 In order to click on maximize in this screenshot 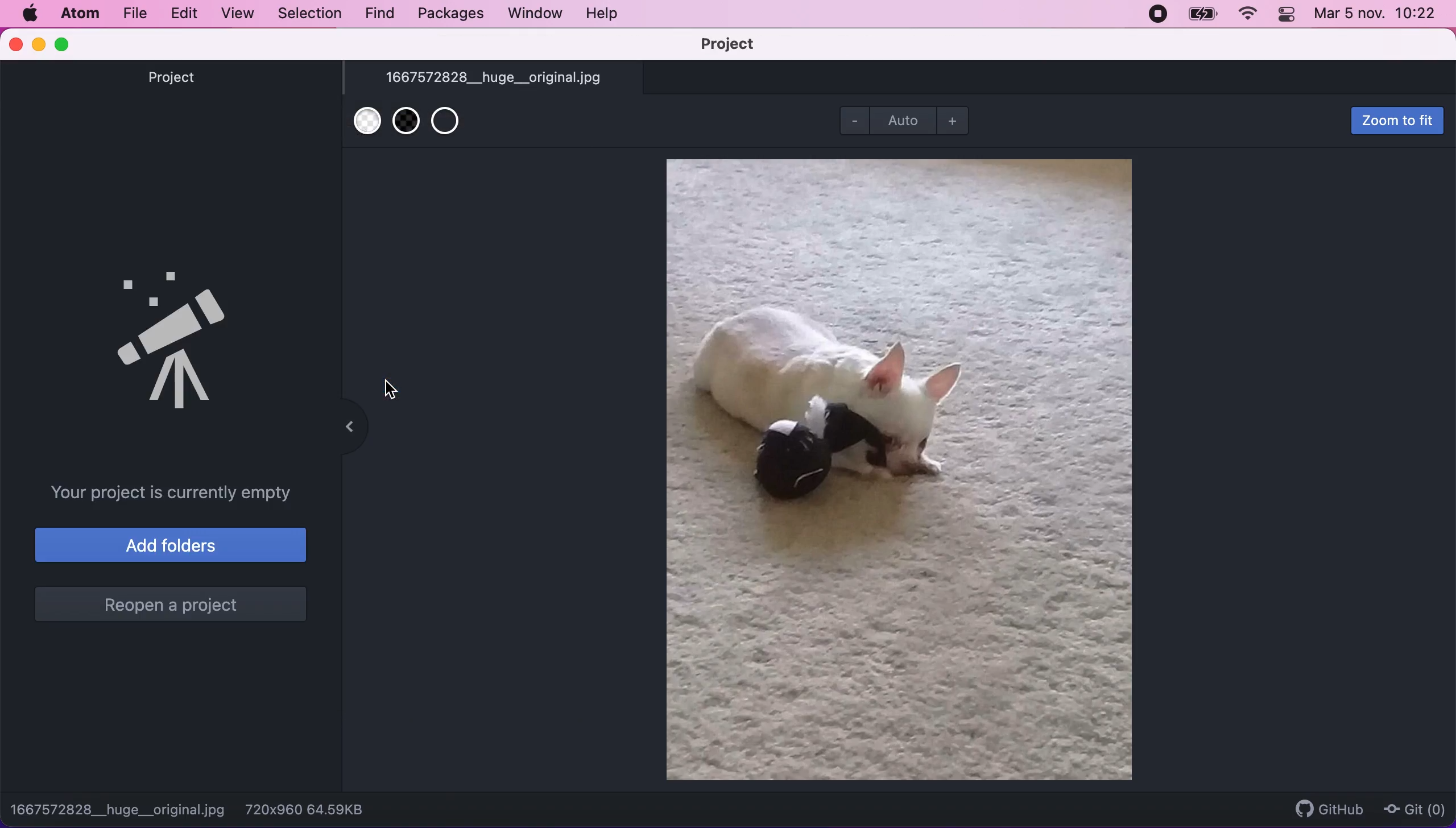, I will do `click(65, 44)`.